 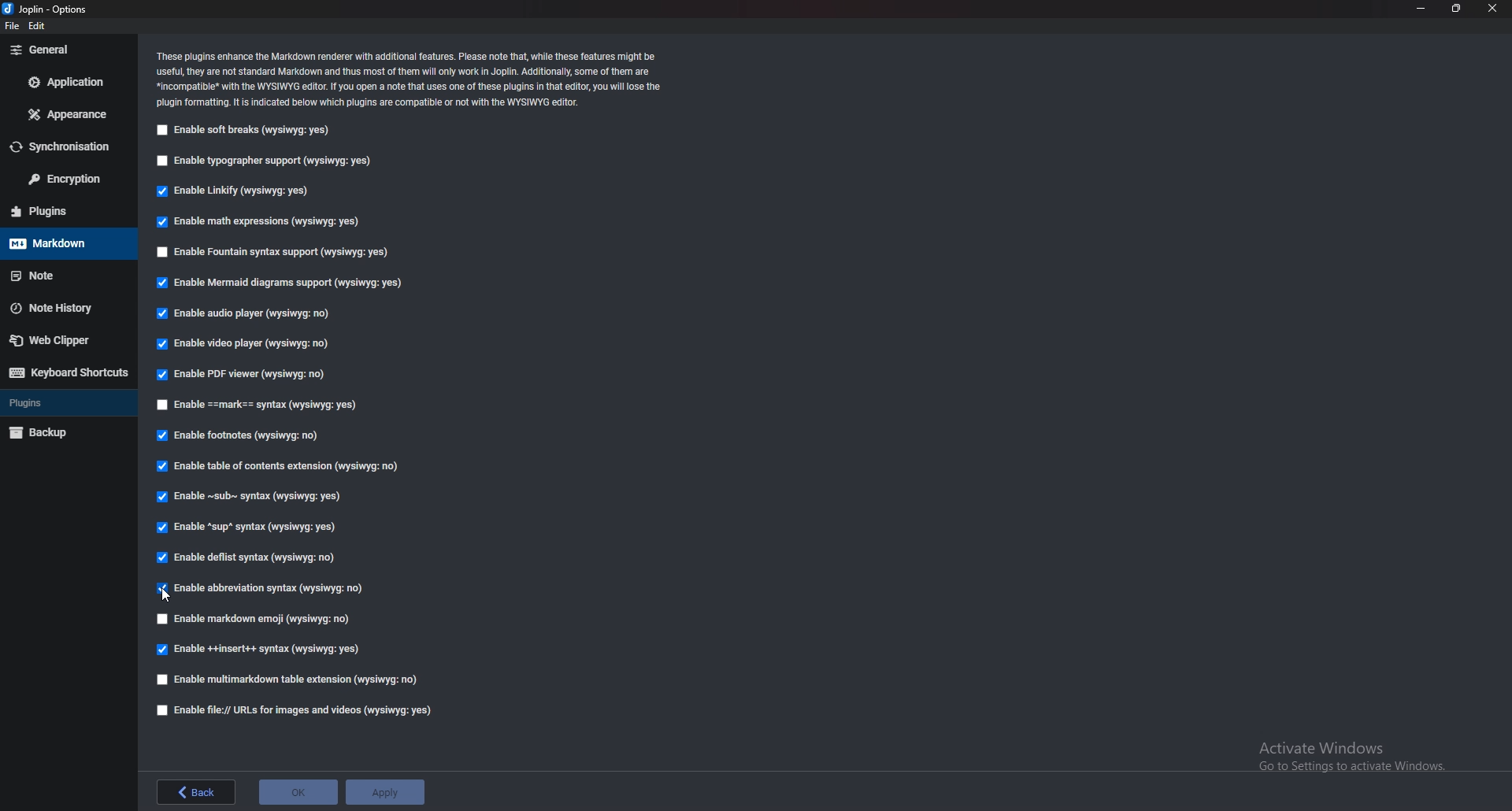 I want to click on back, so click(x=196, y=791).